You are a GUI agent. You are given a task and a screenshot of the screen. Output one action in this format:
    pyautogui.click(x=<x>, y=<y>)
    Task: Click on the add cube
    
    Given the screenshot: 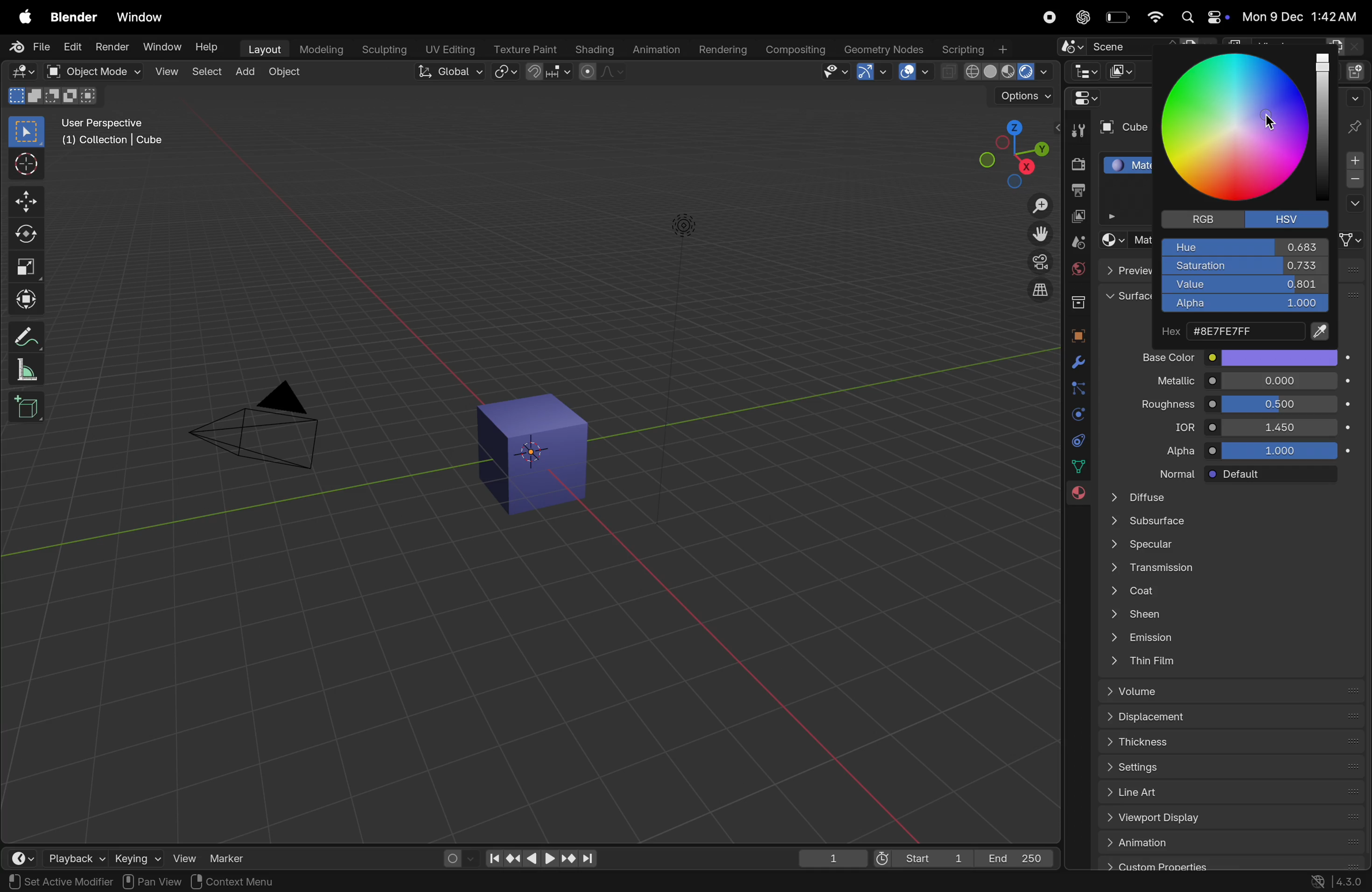 What is the action you would take?
    pyautogui.click(x=29, y=406)
    